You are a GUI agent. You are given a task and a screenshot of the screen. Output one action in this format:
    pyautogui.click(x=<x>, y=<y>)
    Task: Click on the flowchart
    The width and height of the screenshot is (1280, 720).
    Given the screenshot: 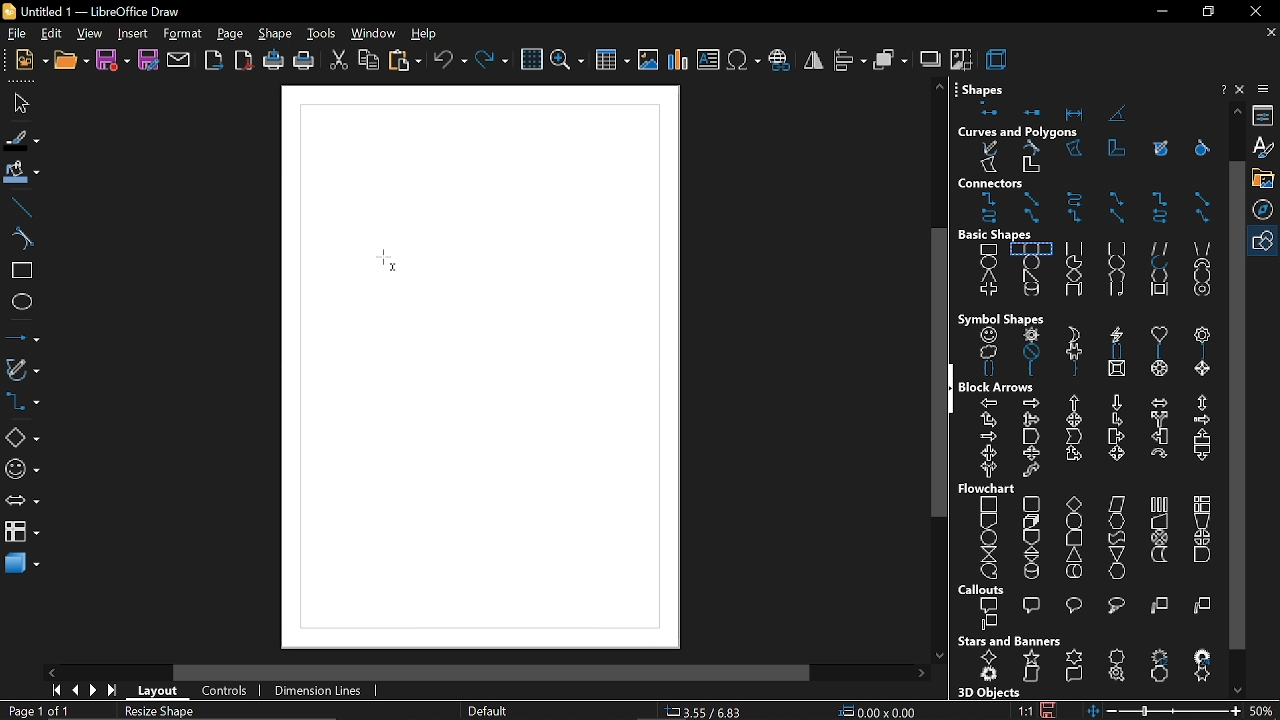 What is the action you would take?
    pyautogui.click(x=1086, y=538)
    